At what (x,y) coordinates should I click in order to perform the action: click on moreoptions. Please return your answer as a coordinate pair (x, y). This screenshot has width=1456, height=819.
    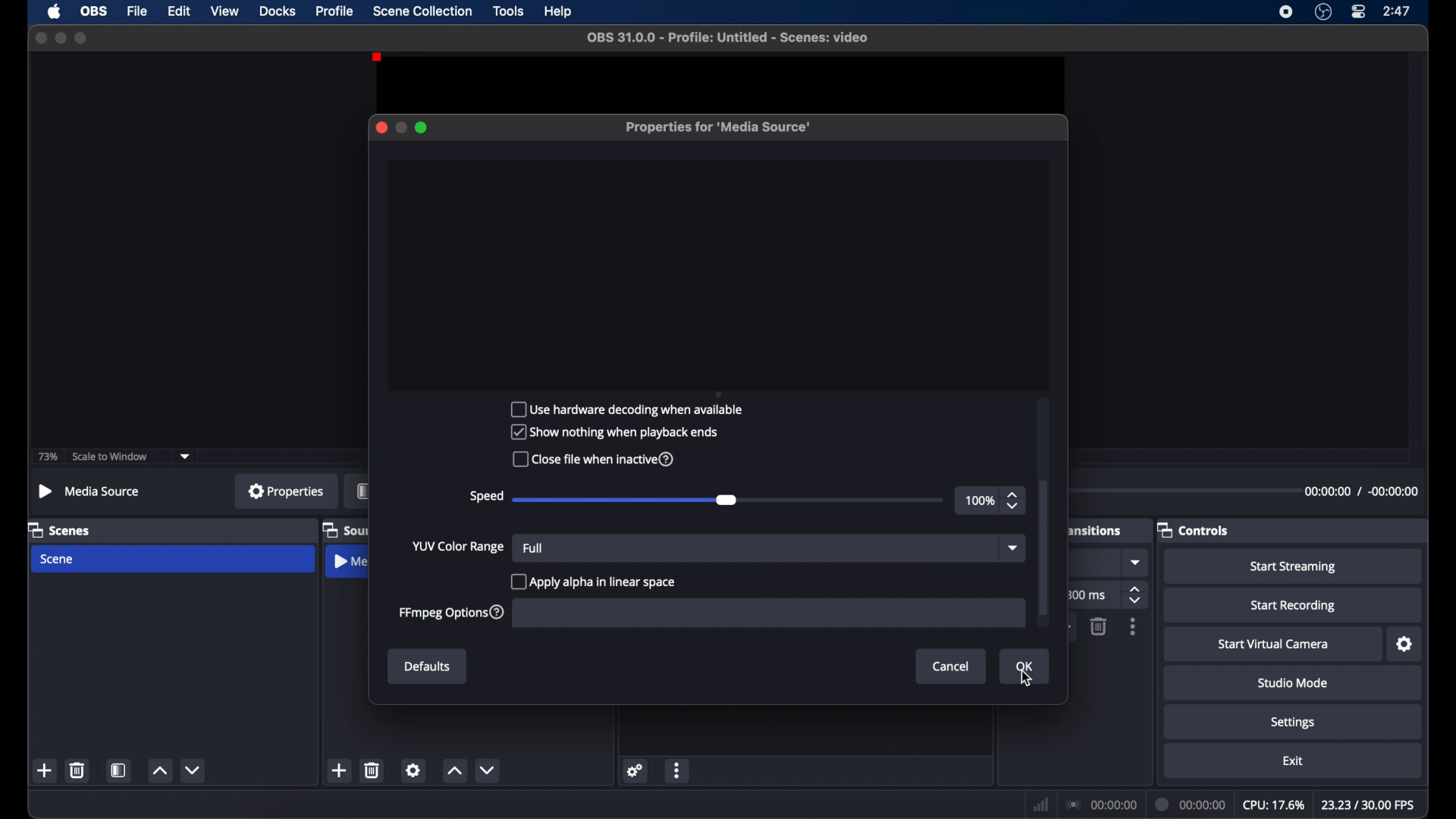
    Looking at the image, I should click on (1133, 626).